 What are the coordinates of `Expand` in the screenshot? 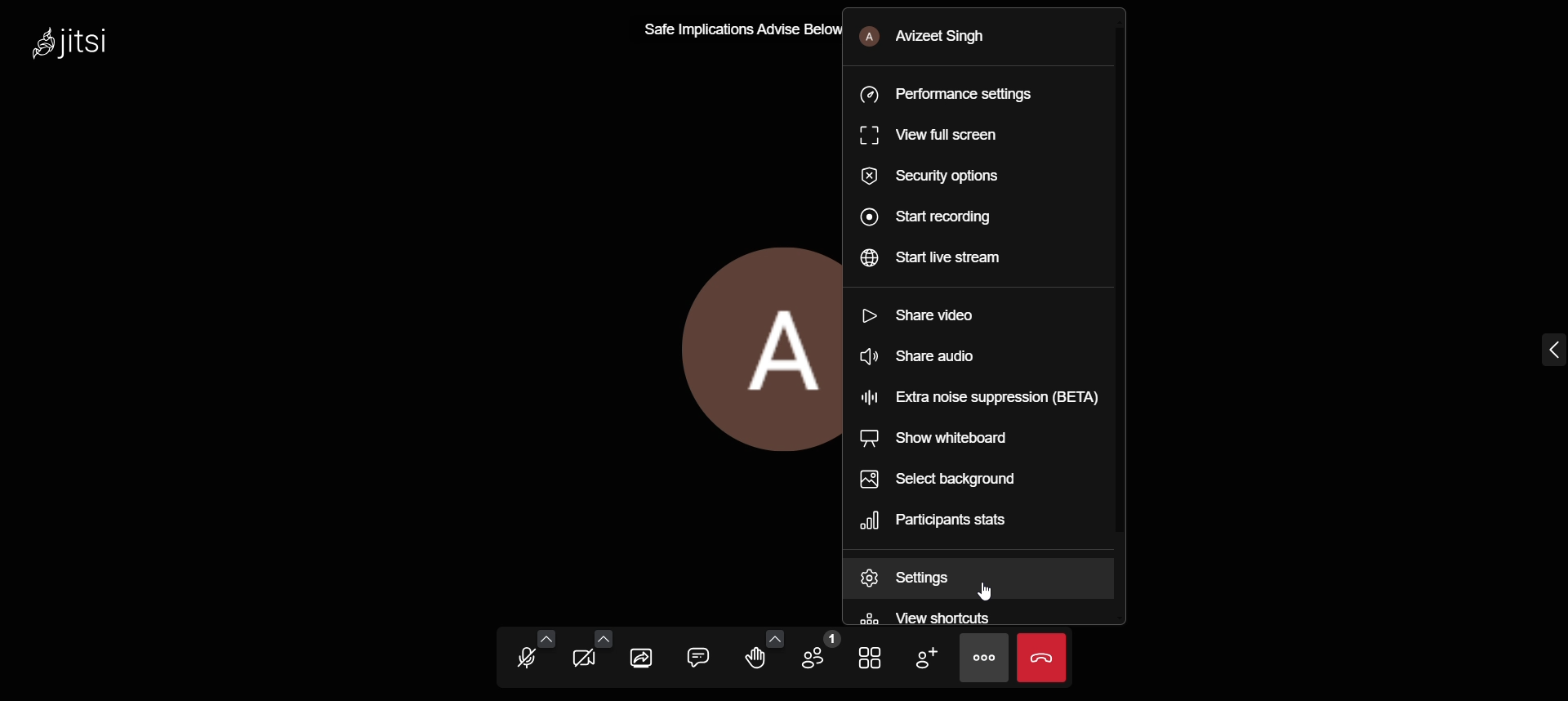 It's located at (1526, 354).